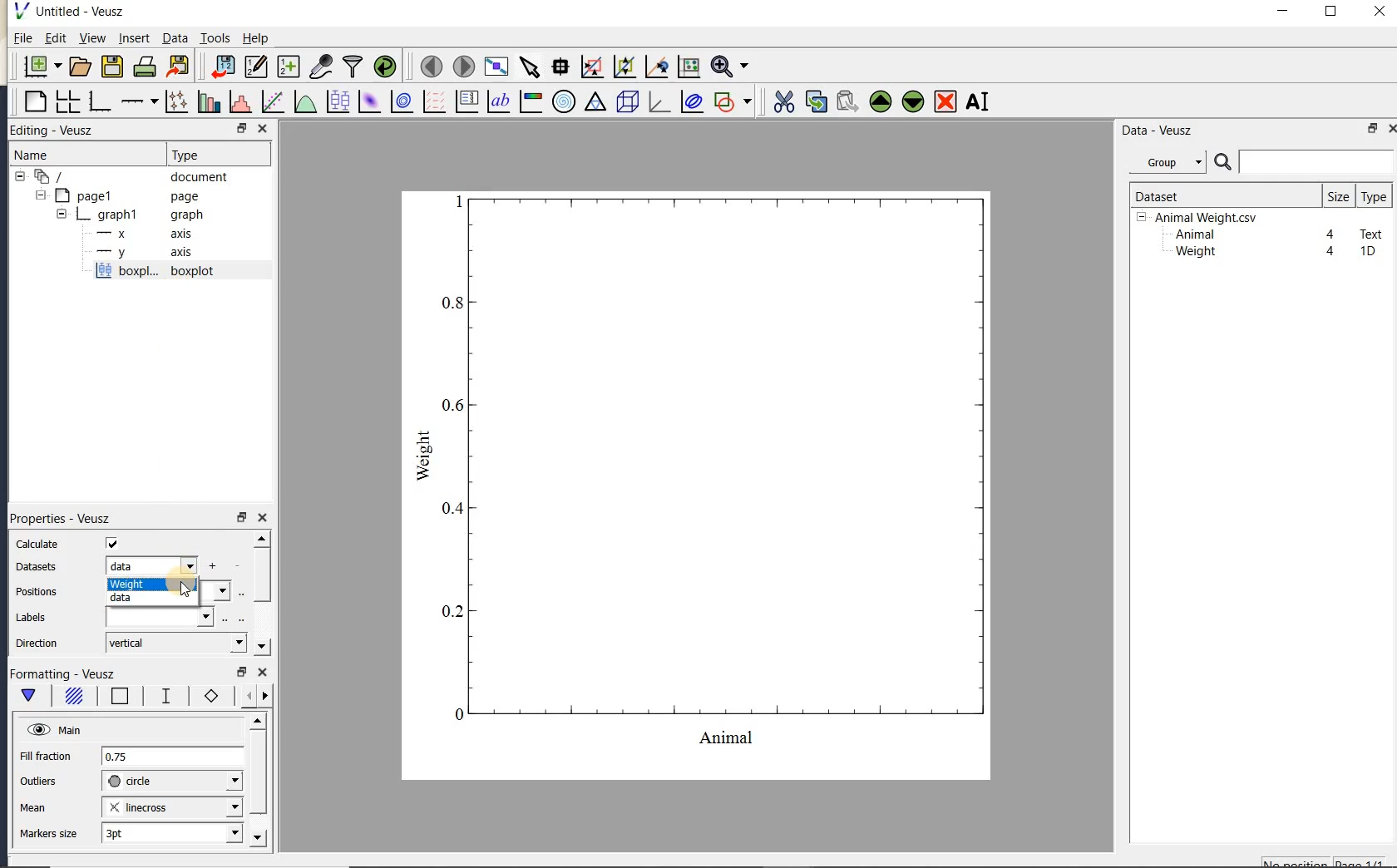 The image size is (1397, 868). What do you see at coordinates (178, 101) in the screenshot?
I see `plot points with lines and errorbars` at bounding box center [178, 101].